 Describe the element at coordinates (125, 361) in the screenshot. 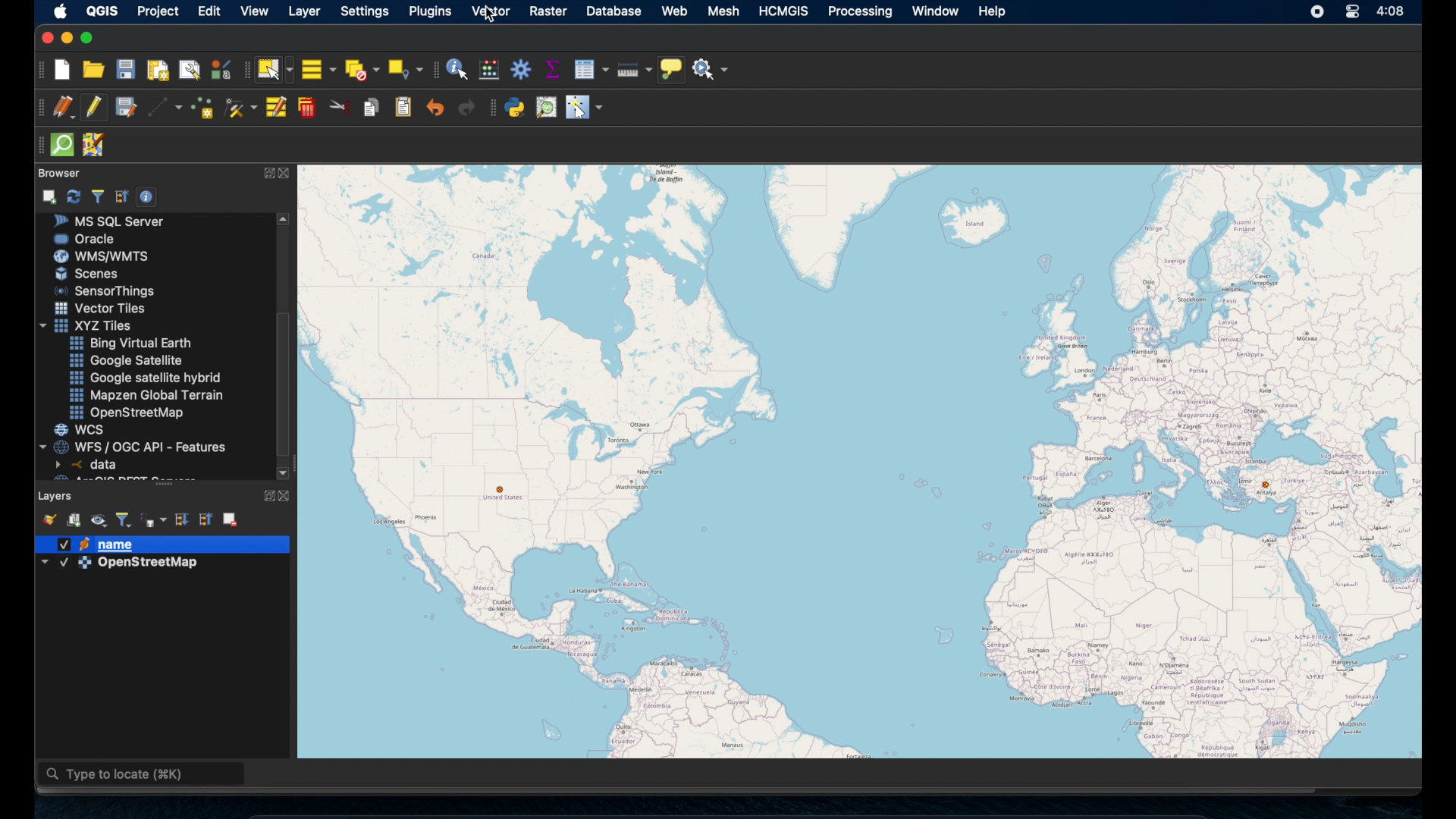

I see `google satellite` at that location.